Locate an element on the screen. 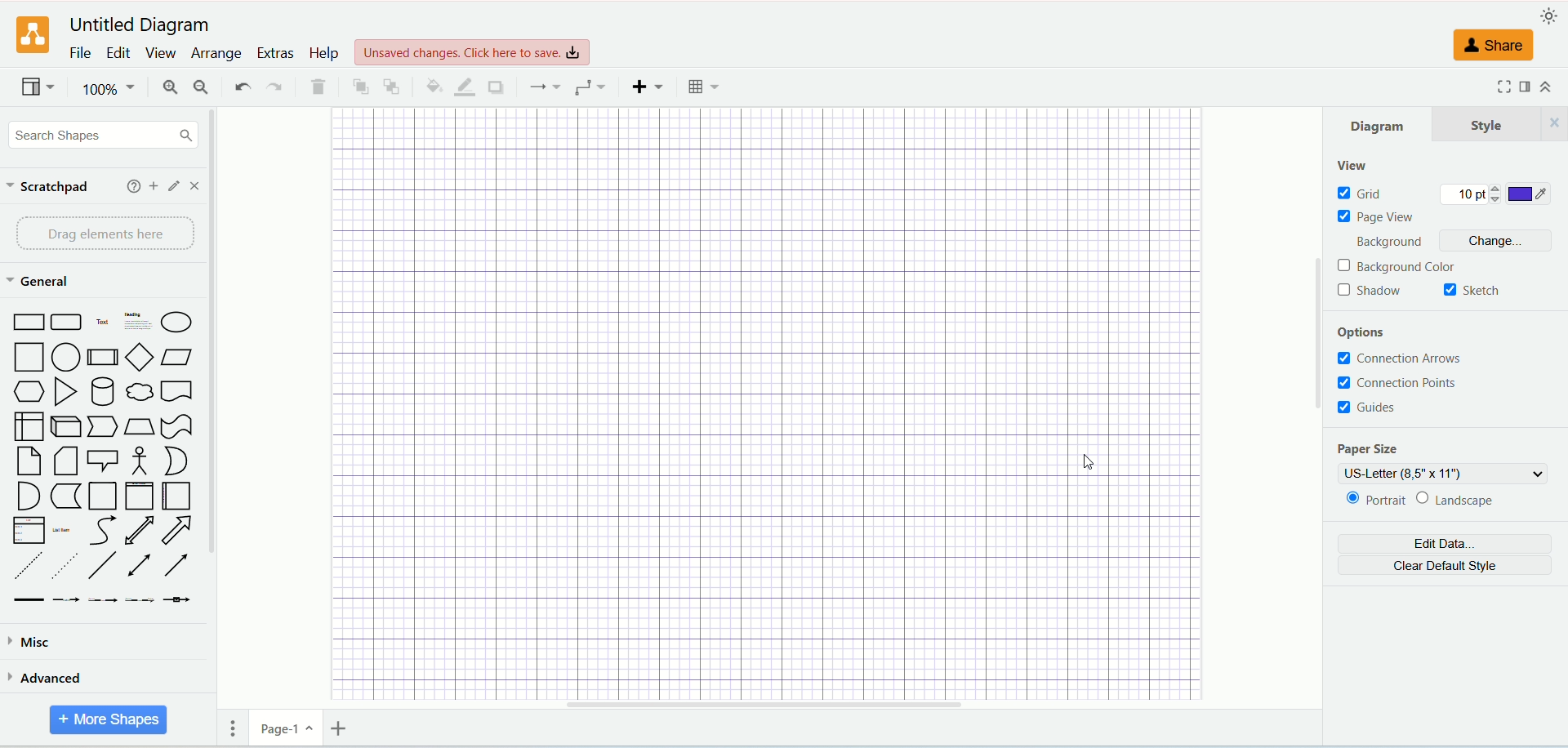 The width and height of the screenshot is (1568, 748). delete is located at coordinates (318, 88).